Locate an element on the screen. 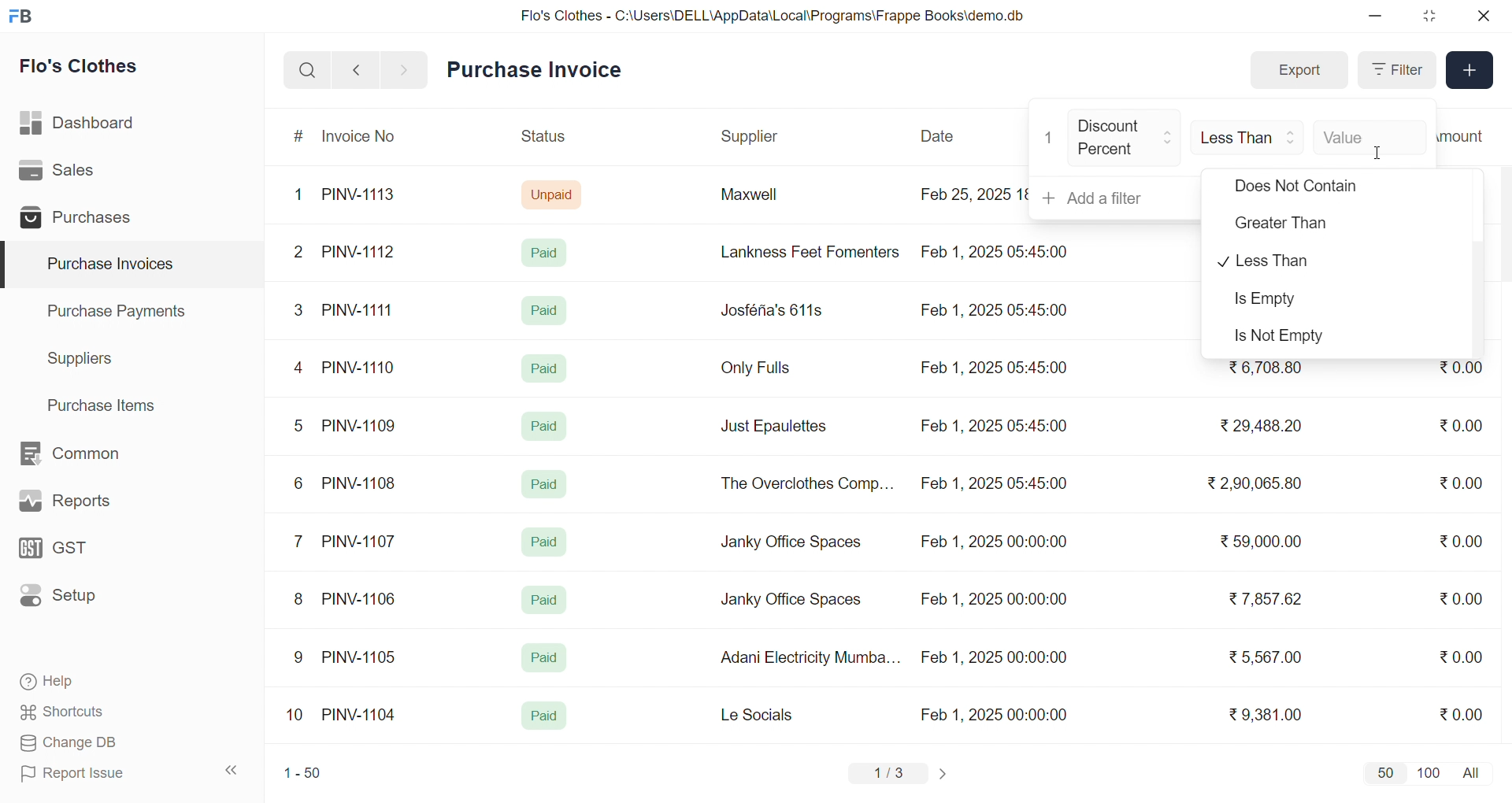  Supplier is located at coordinates (752, 137).